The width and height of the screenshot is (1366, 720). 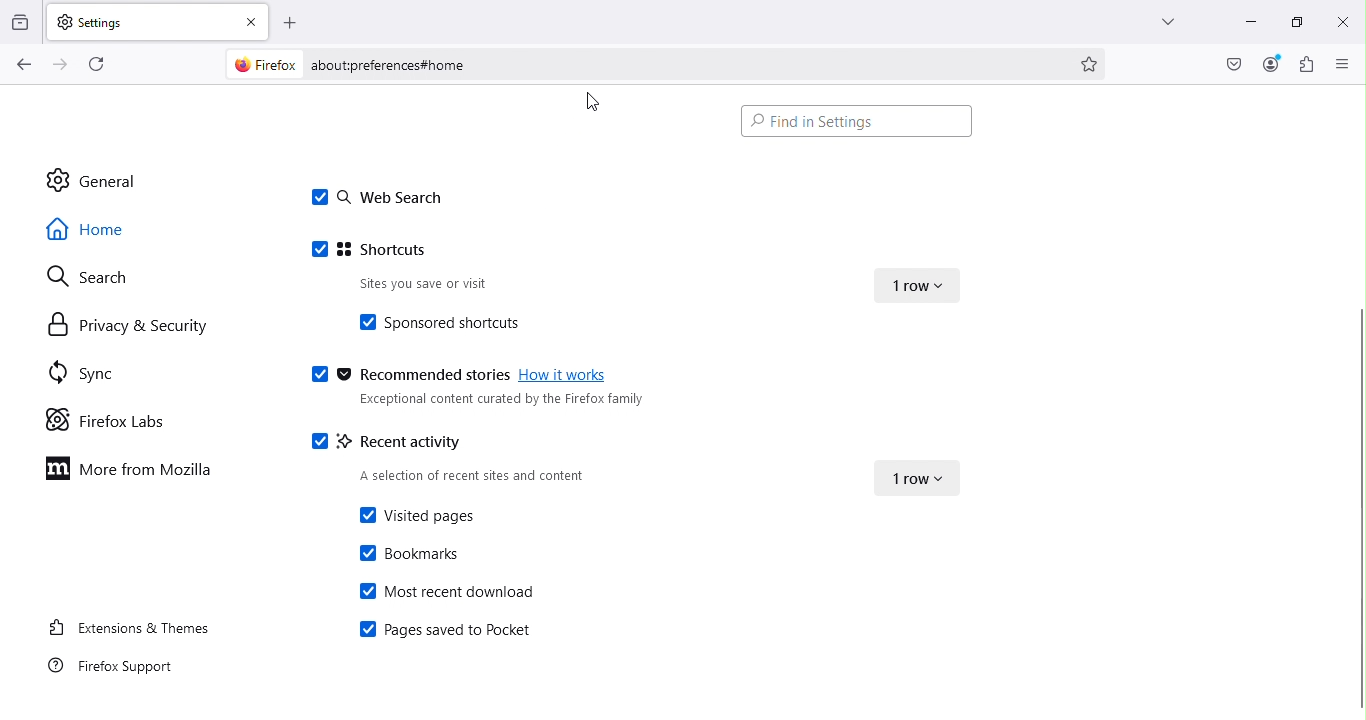 I want to click on firefox logo, so click(x=266, y=65).